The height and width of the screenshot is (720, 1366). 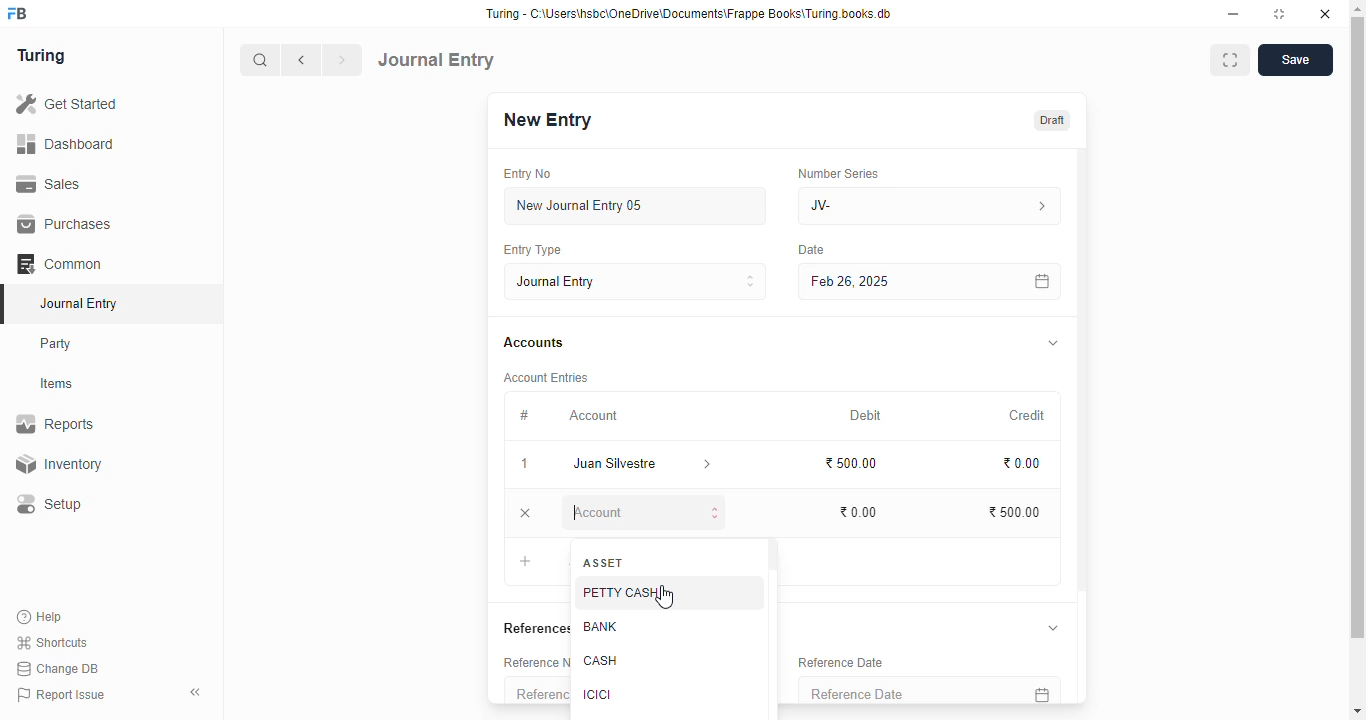 What do you see at coordinates (1357, 8) in the screenshot?
I see `scroll up` at bounding box center [1357, 8].